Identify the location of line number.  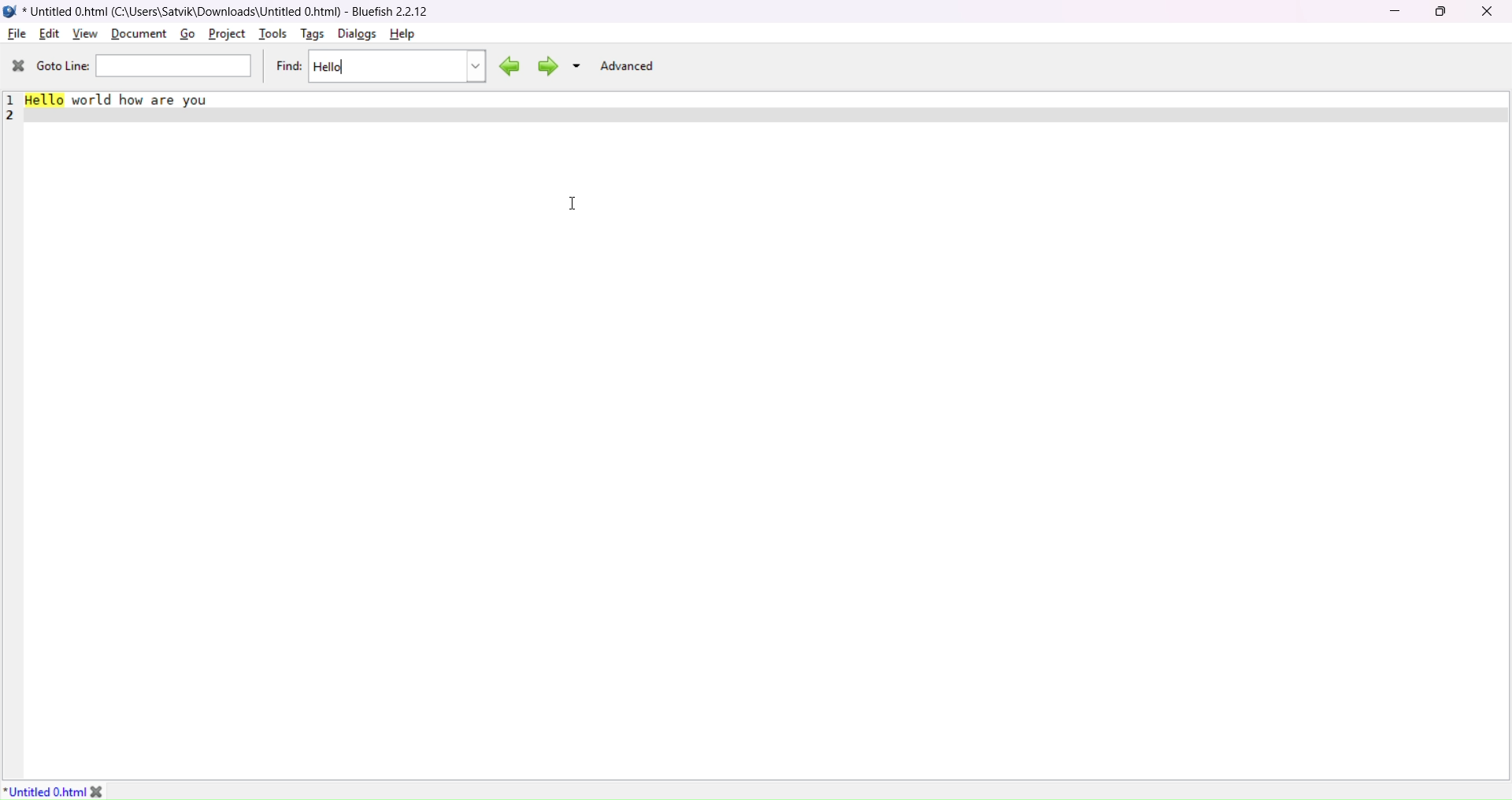
(12, 106).